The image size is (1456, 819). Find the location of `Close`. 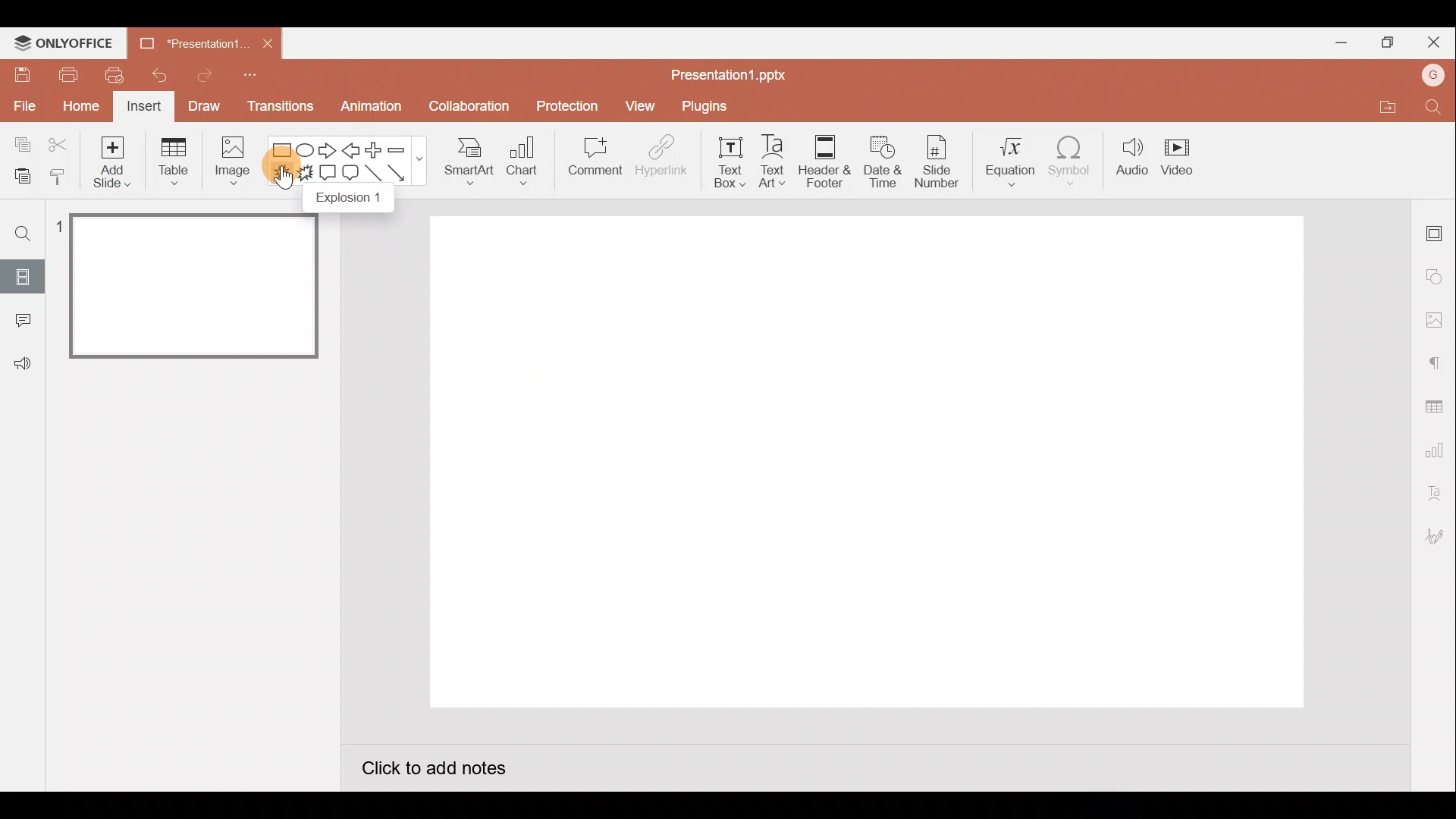

Close is located at coordinates (267, 43).